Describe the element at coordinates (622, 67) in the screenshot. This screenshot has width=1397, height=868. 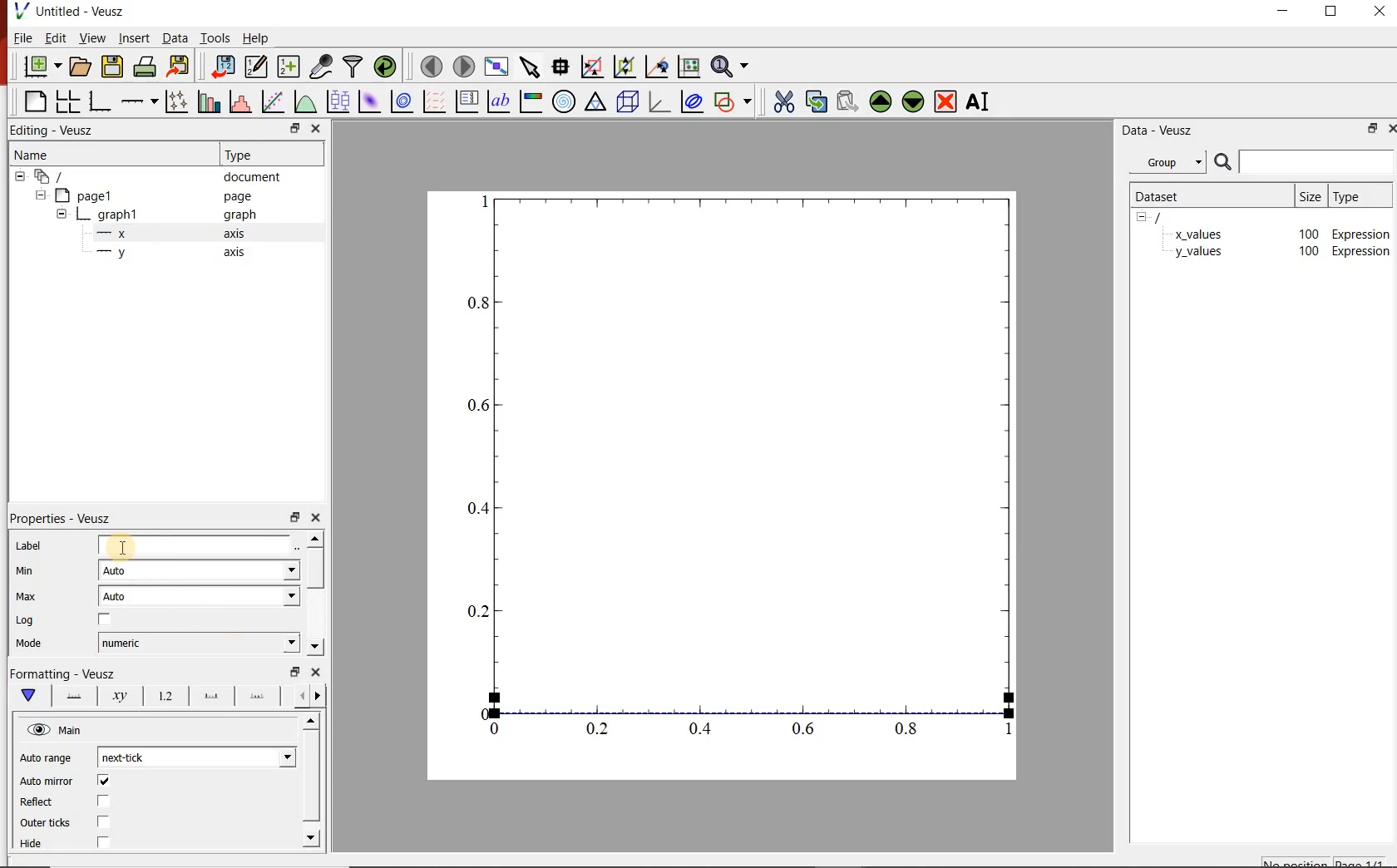
I see `click to zoom out on graph axes` at that location.